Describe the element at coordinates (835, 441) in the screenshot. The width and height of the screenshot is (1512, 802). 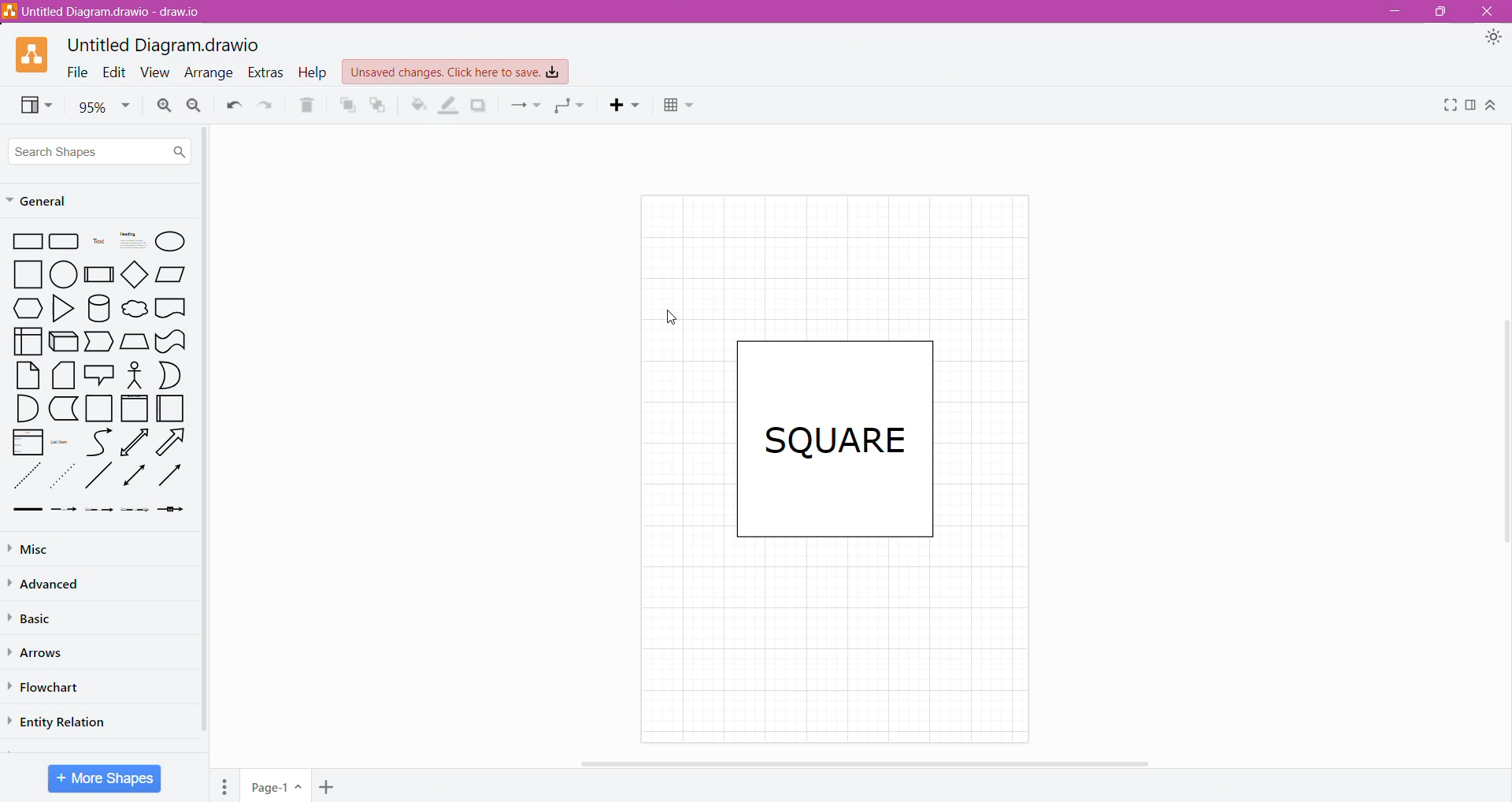
I see `Text frame` at that location.